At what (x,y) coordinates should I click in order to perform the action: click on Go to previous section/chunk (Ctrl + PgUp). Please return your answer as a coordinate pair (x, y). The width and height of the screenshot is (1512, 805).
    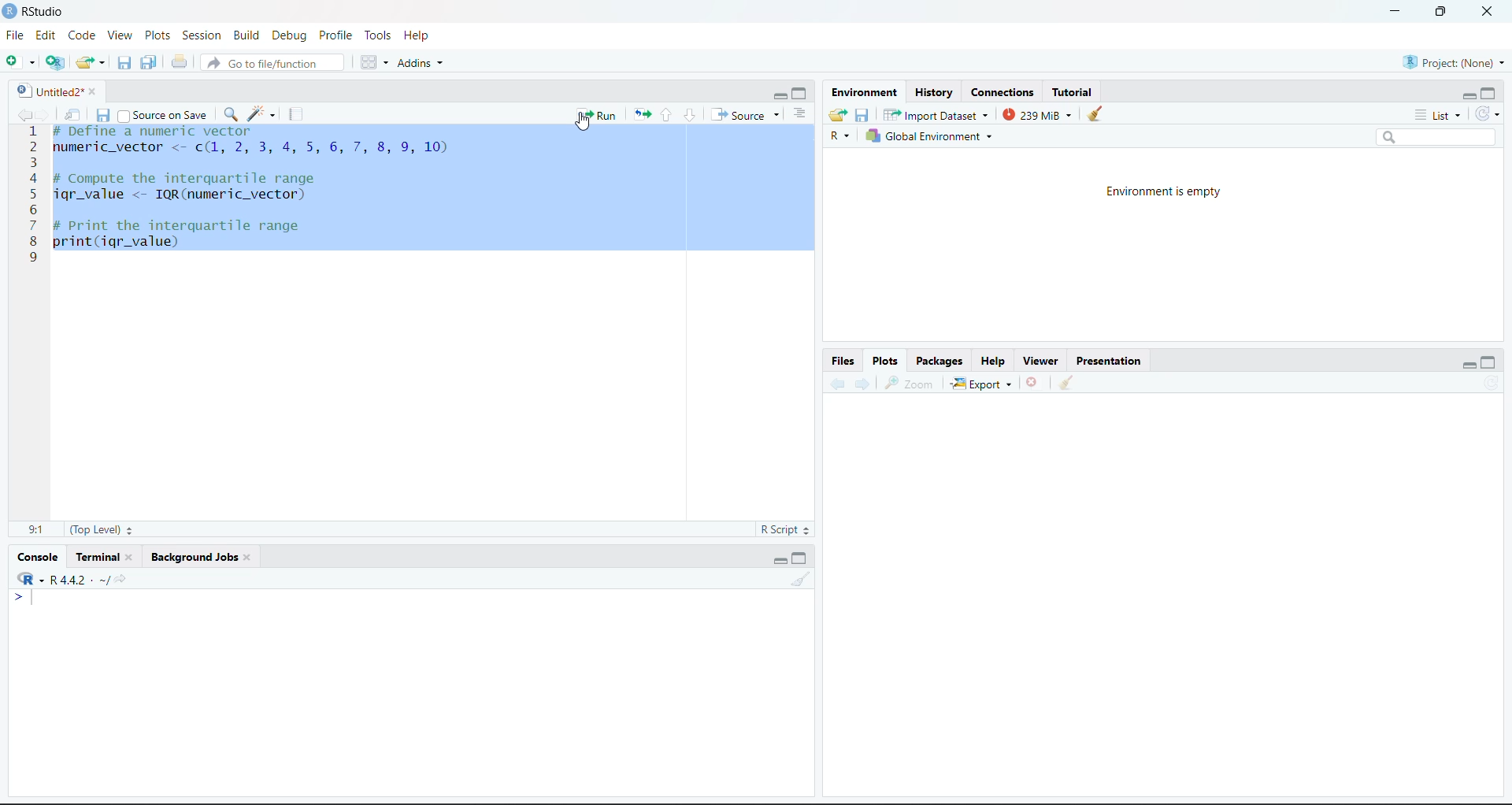
    Looking at the image, I should click on (669, 114).